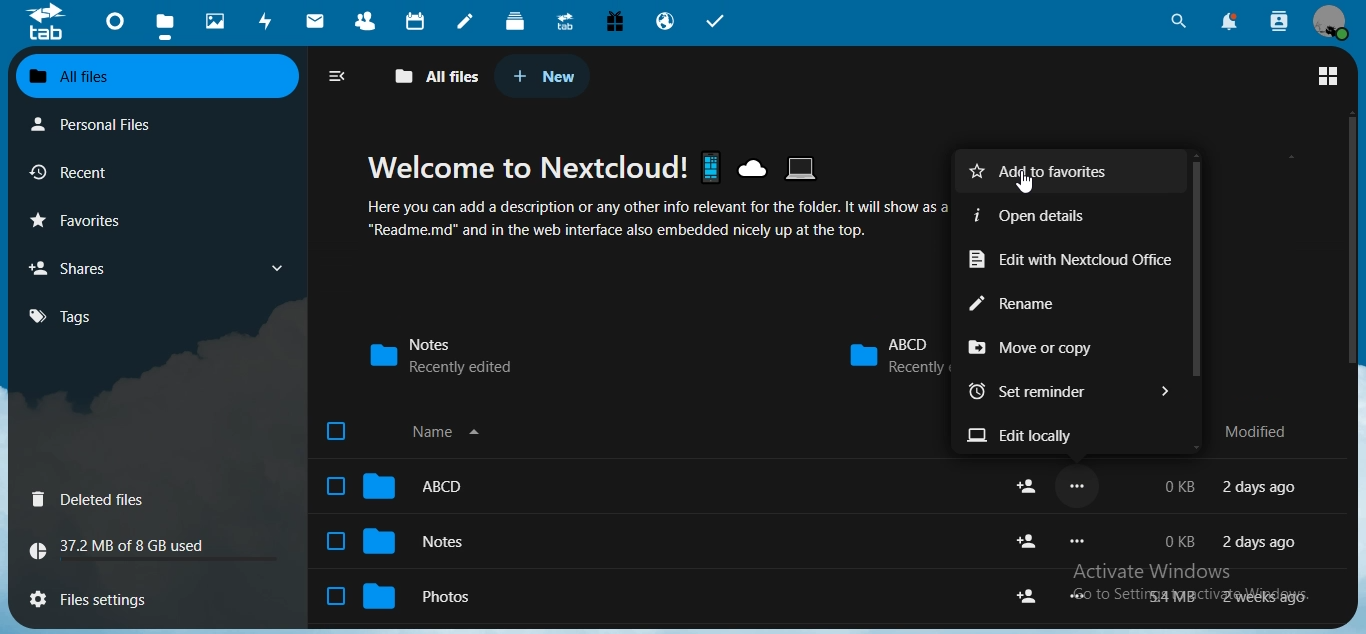 Image resolution: width=1366 pixels, height=634 pixels. I want to click on abcd, so click(396, 486).